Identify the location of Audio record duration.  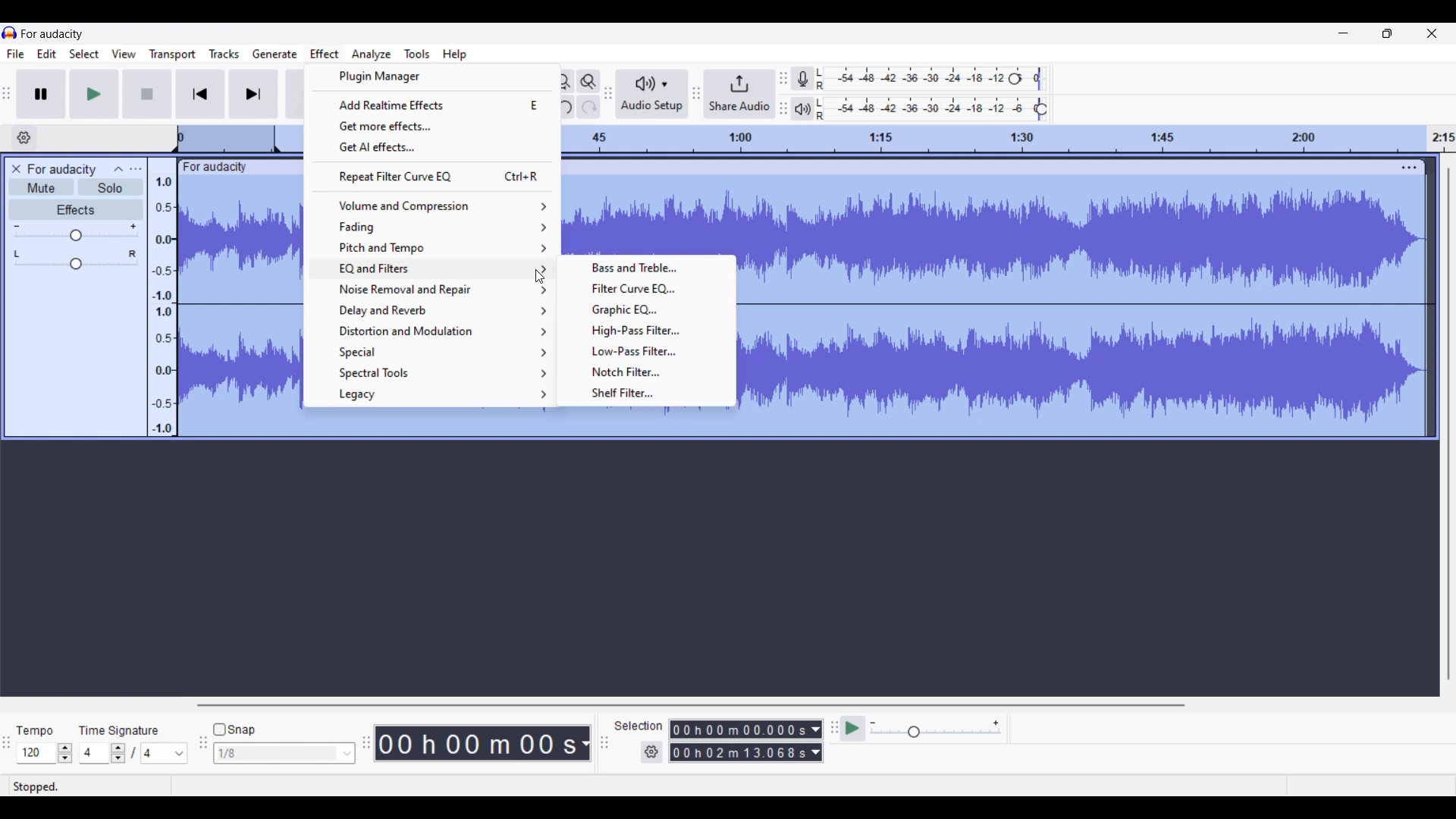
(585, 744).